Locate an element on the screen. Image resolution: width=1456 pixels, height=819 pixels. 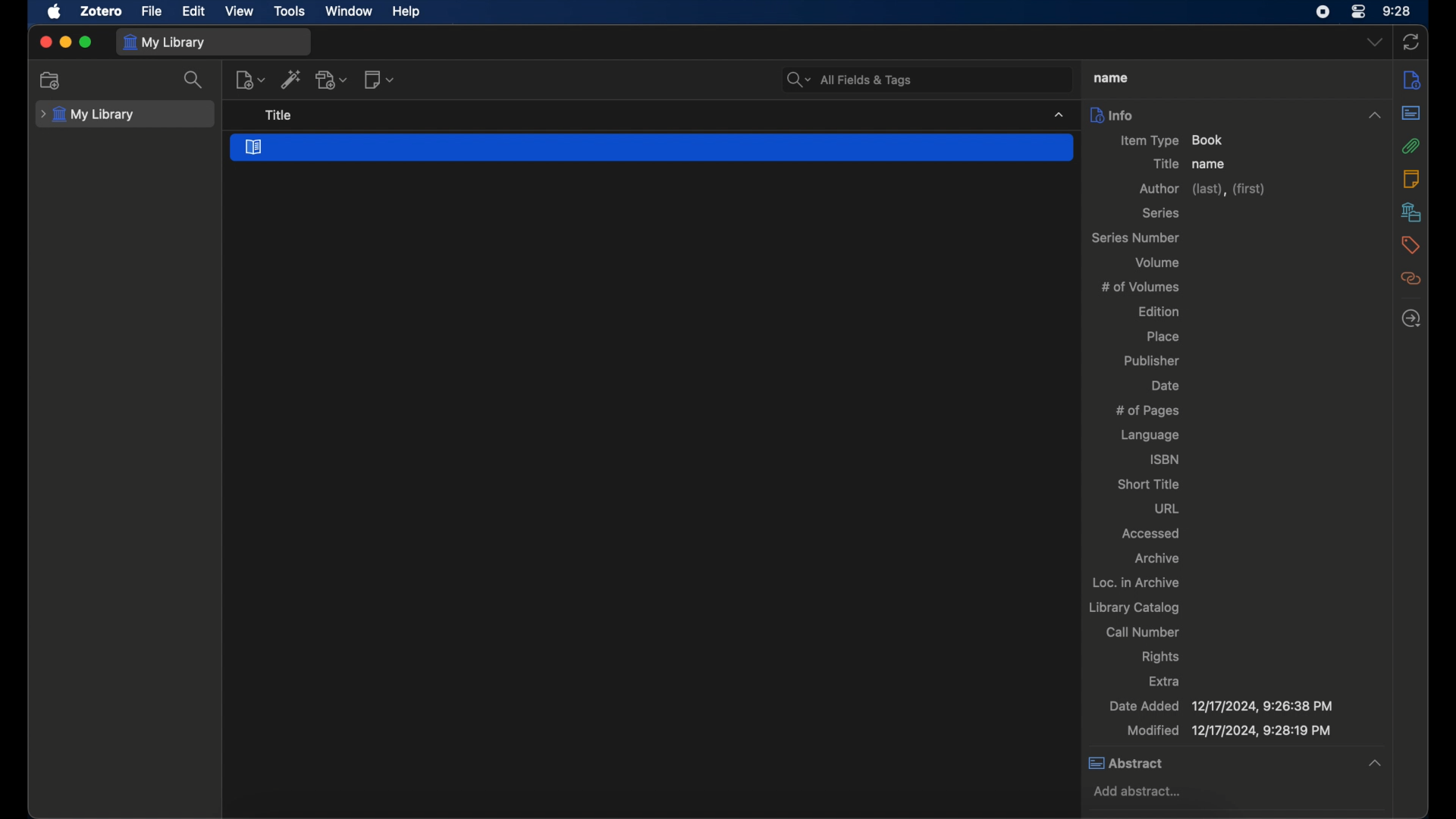
add attachment is located at coordinates (331, 80).